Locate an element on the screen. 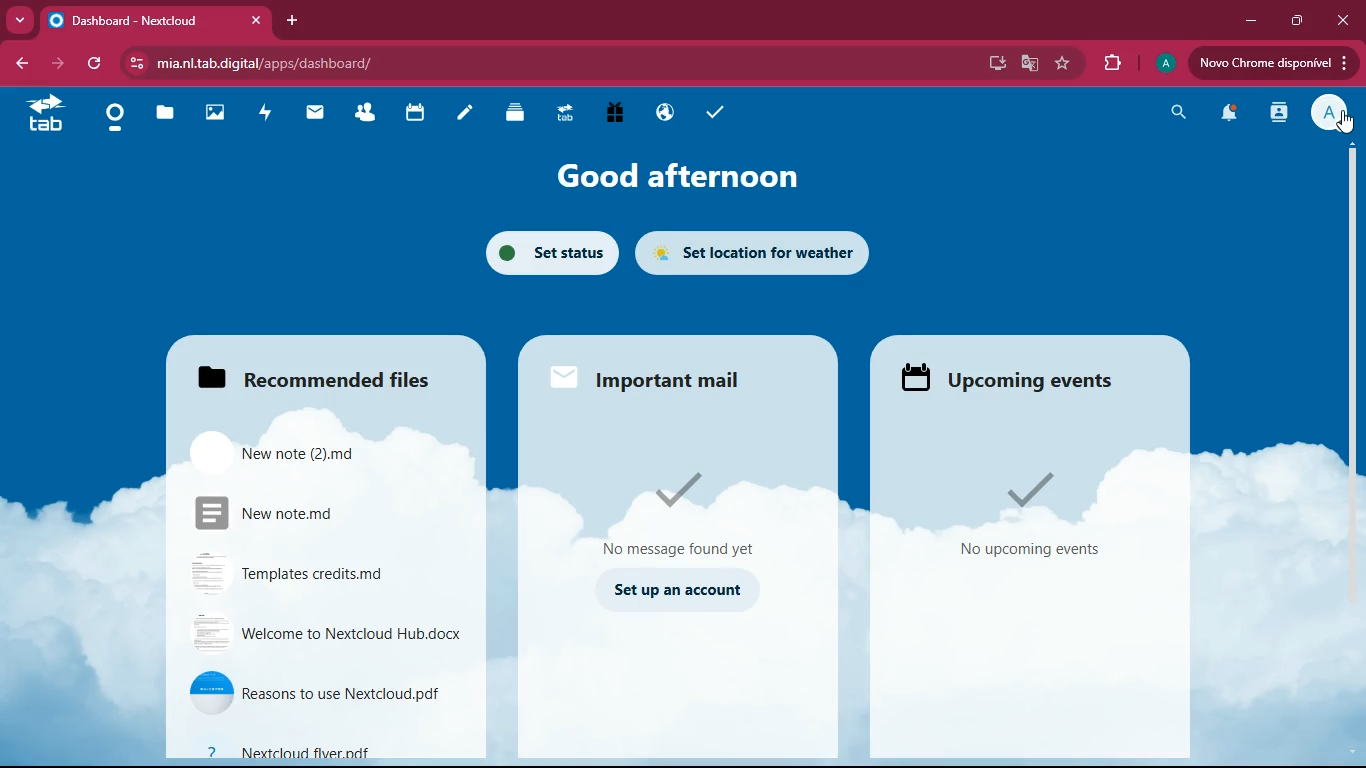 The image size is (1366, 768). mail is located at coordinates (308, 112).